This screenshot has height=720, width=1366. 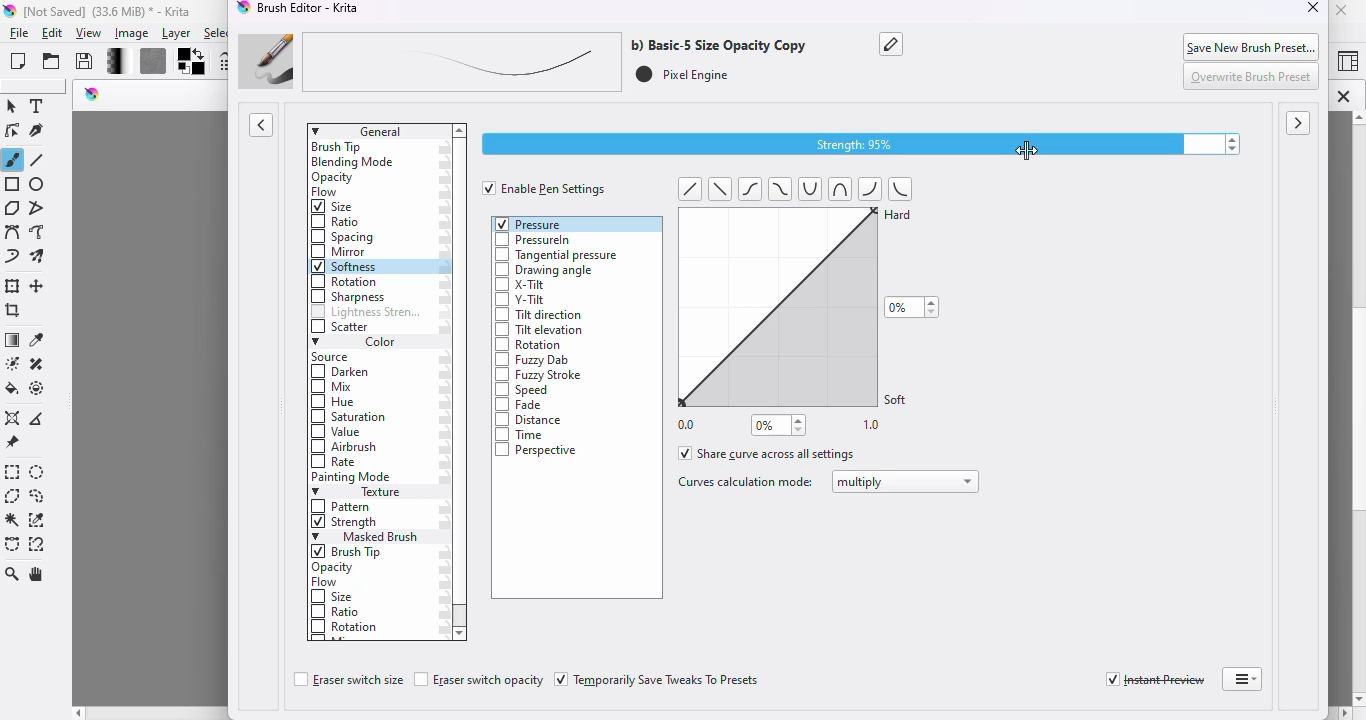 I want to click on 1.0, so click(x=873, y=426).